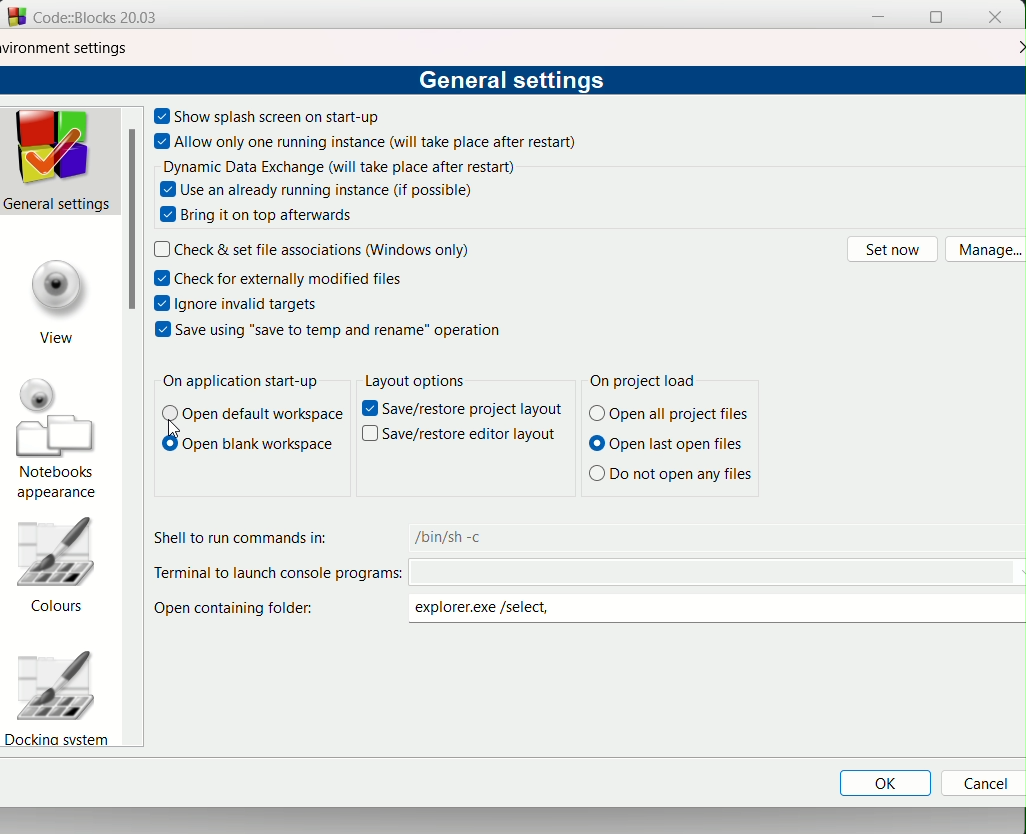 The width and height of the screenshot is (1026, 834). Describe the element at coordinates (56, 299) in the screenshot. I see `view` at that location.